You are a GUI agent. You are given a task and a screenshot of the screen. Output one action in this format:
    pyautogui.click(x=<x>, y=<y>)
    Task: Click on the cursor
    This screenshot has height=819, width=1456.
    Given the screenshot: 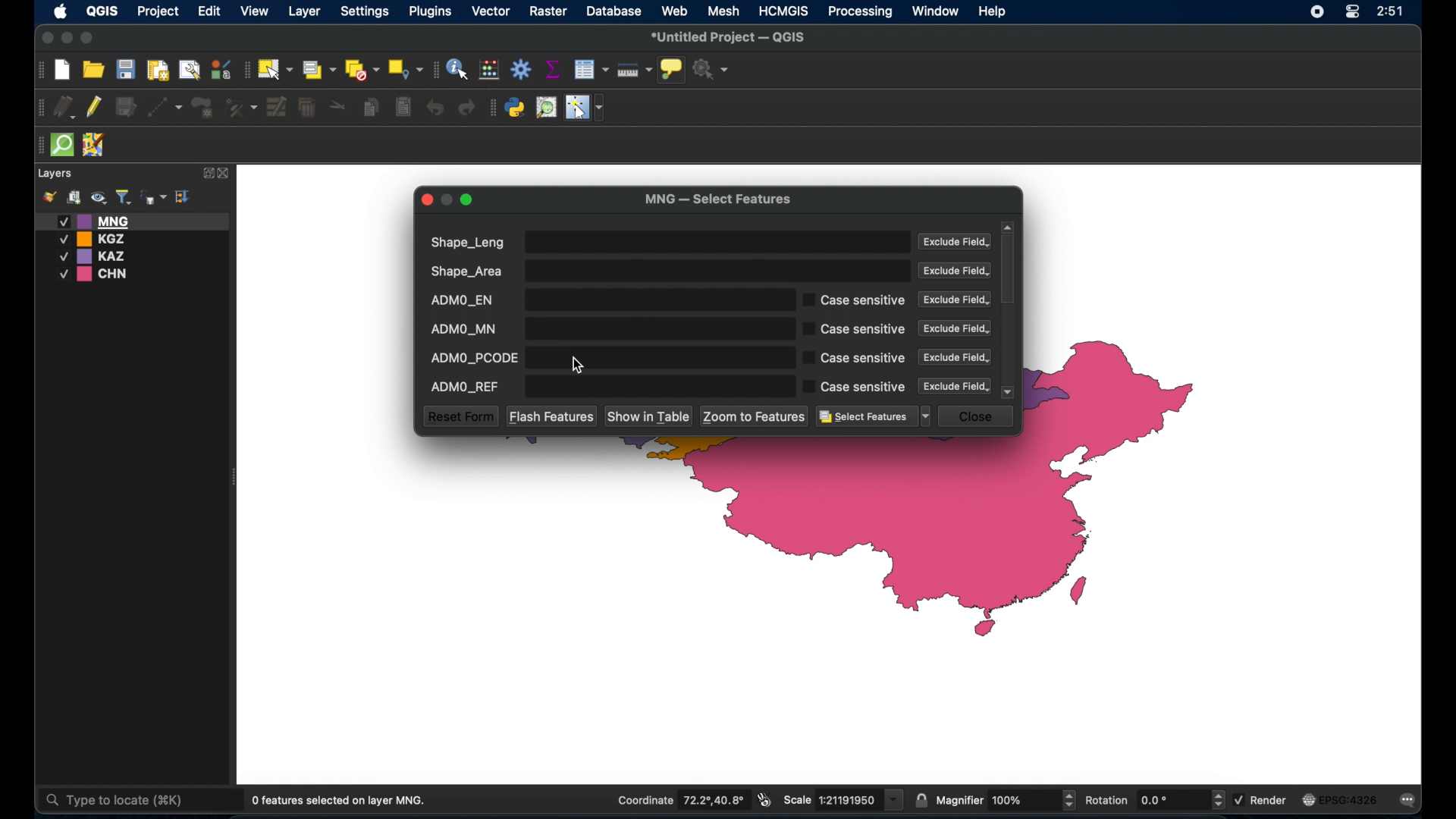 What is the action you would take?
    pyautogui.click(x=578, y=366)
    